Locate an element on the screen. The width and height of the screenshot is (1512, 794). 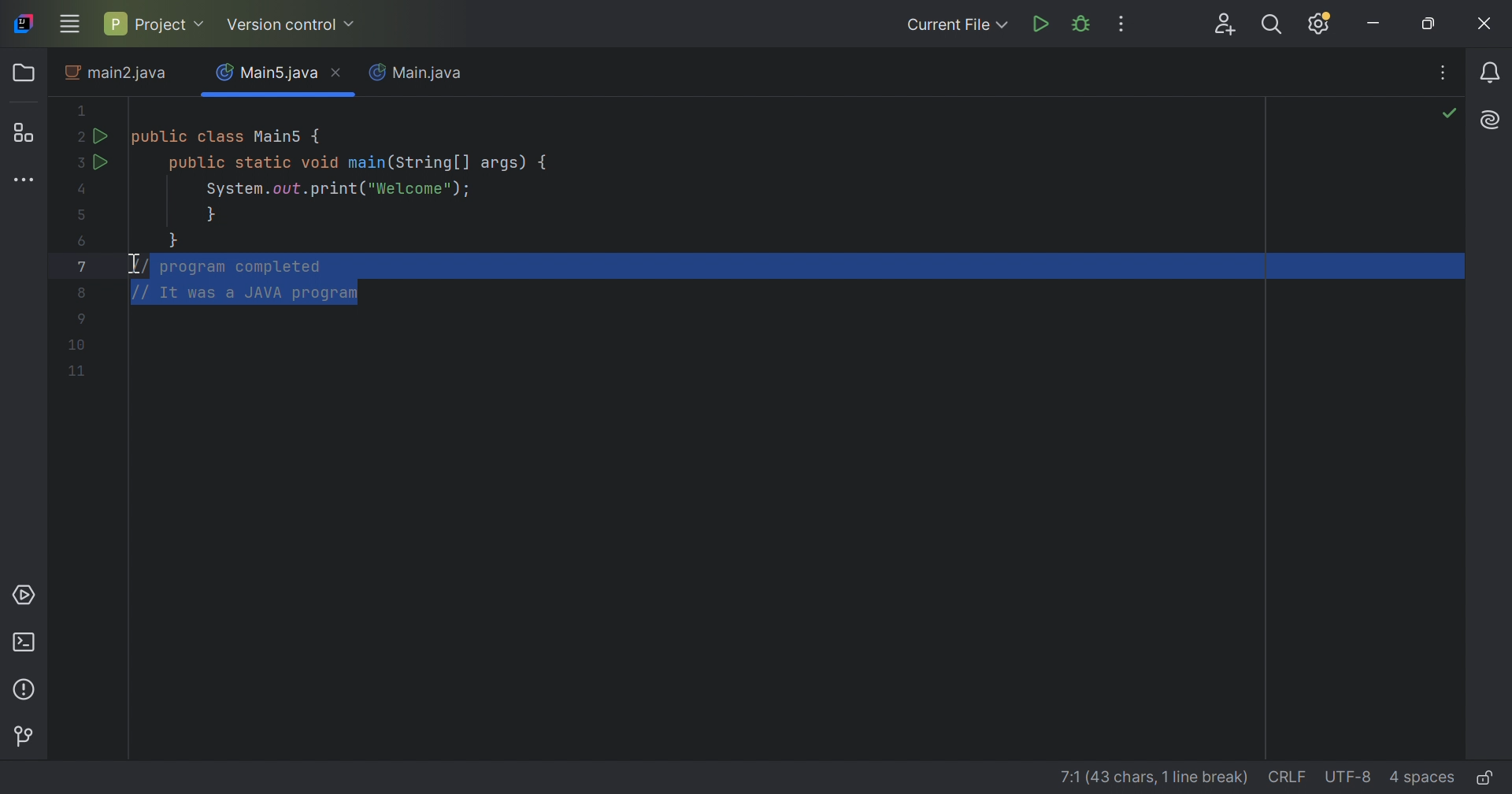
UTF-8(file encoding) is located at coordinates (1347, 777).